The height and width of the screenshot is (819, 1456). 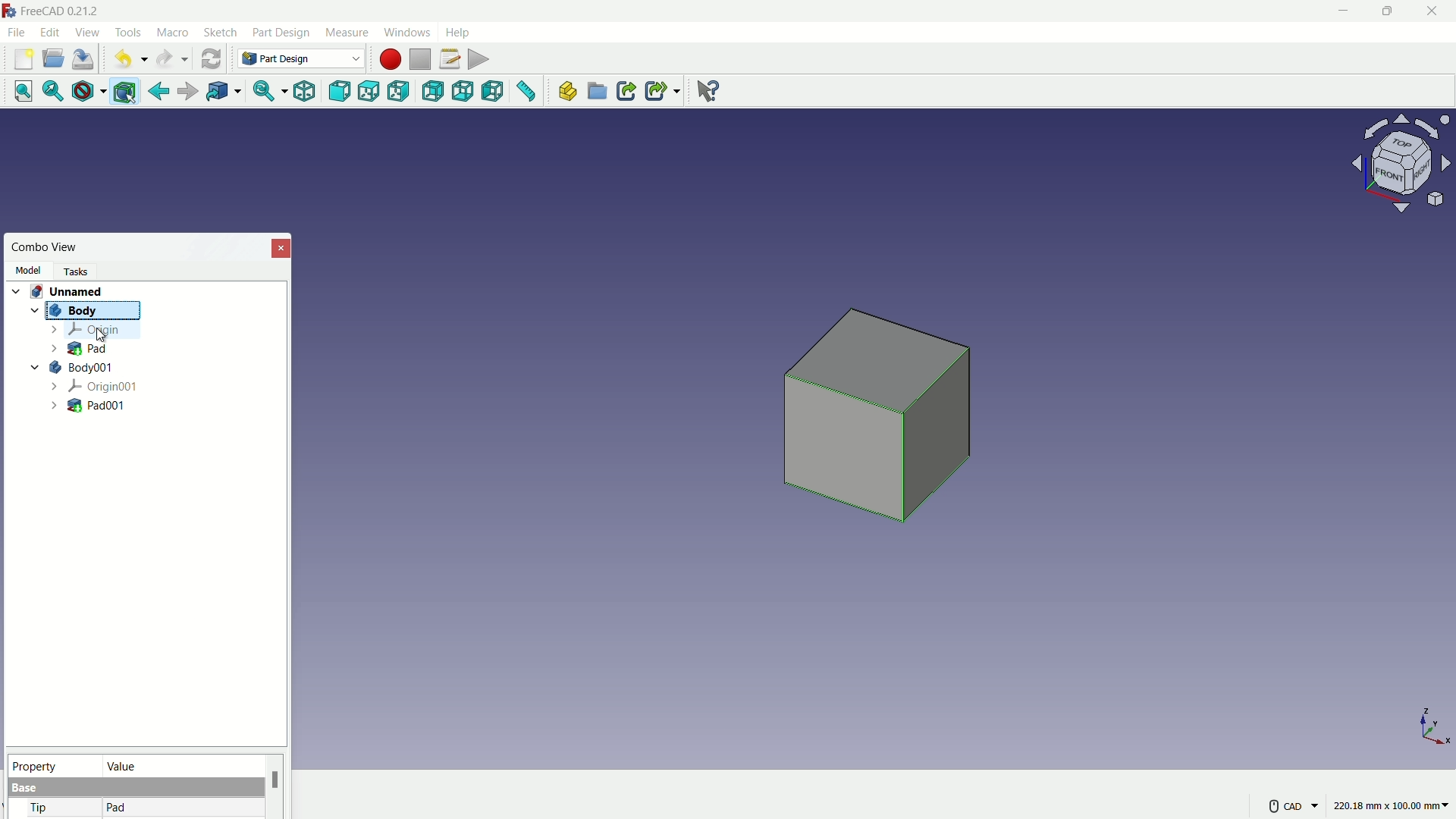 I want to click on tip, so click(x=40, y=809).